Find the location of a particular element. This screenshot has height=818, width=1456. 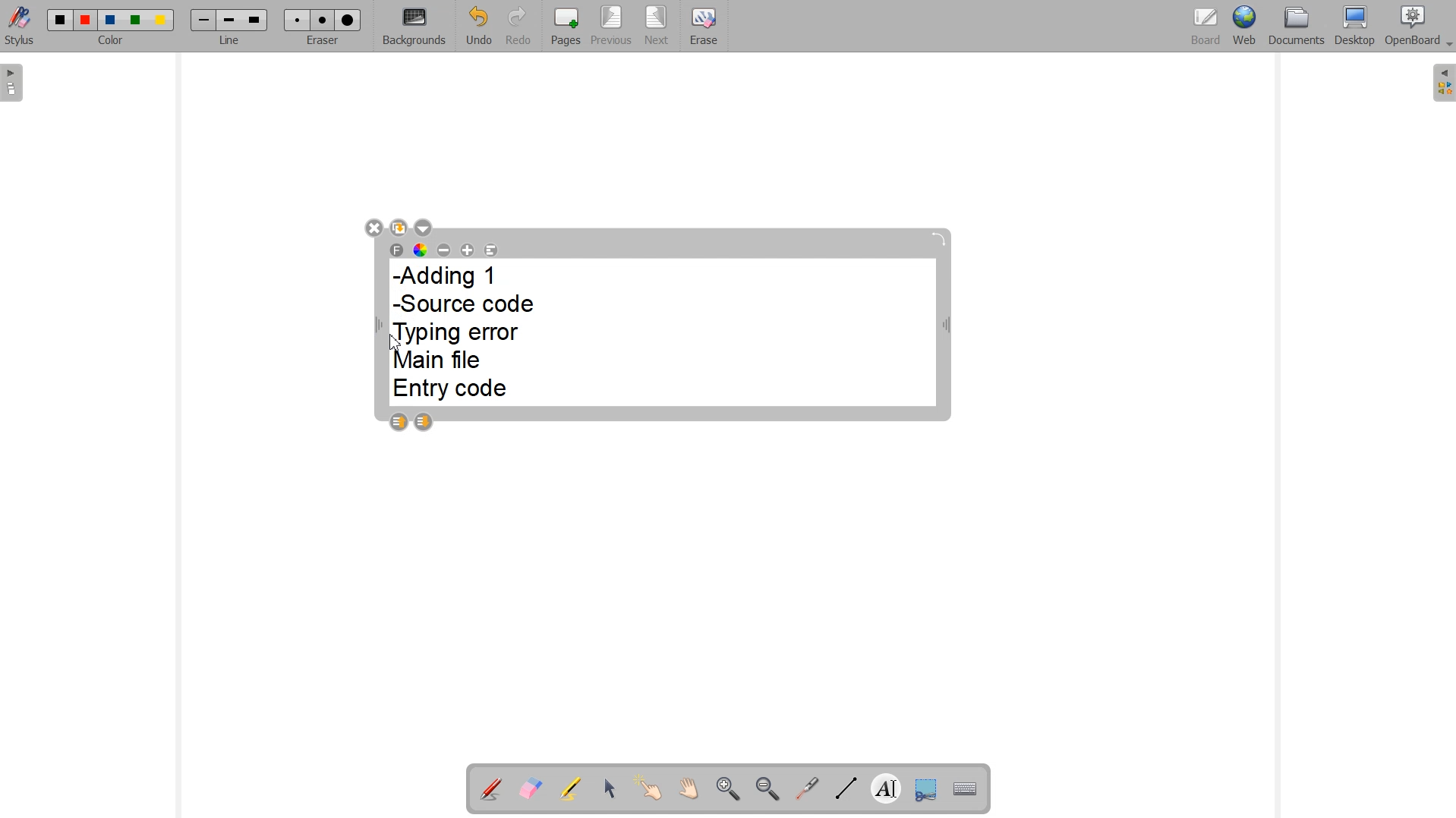

Rotate block is located at coordinates (938, 240).